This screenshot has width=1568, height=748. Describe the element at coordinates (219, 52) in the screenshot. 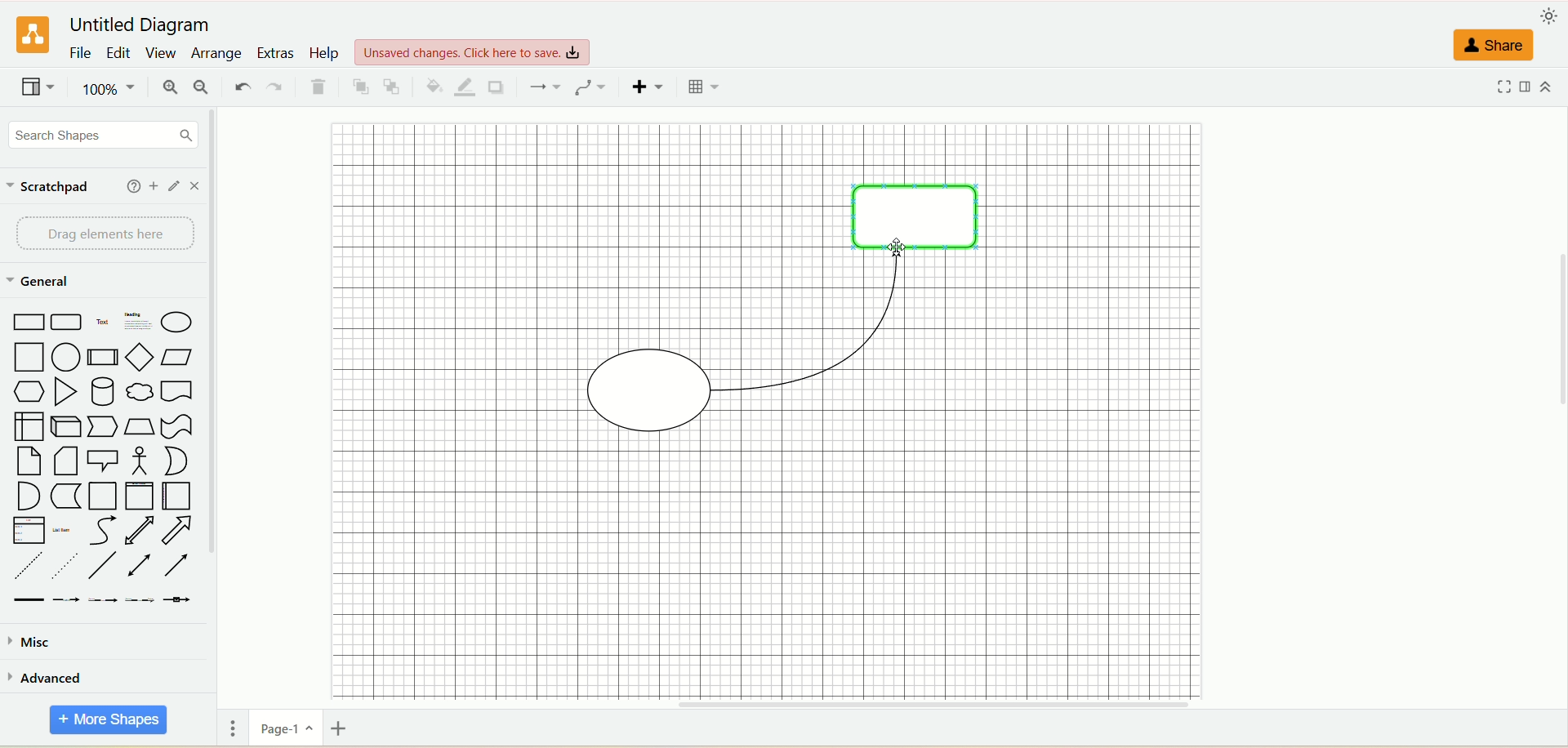

I see `arrange` at that location.